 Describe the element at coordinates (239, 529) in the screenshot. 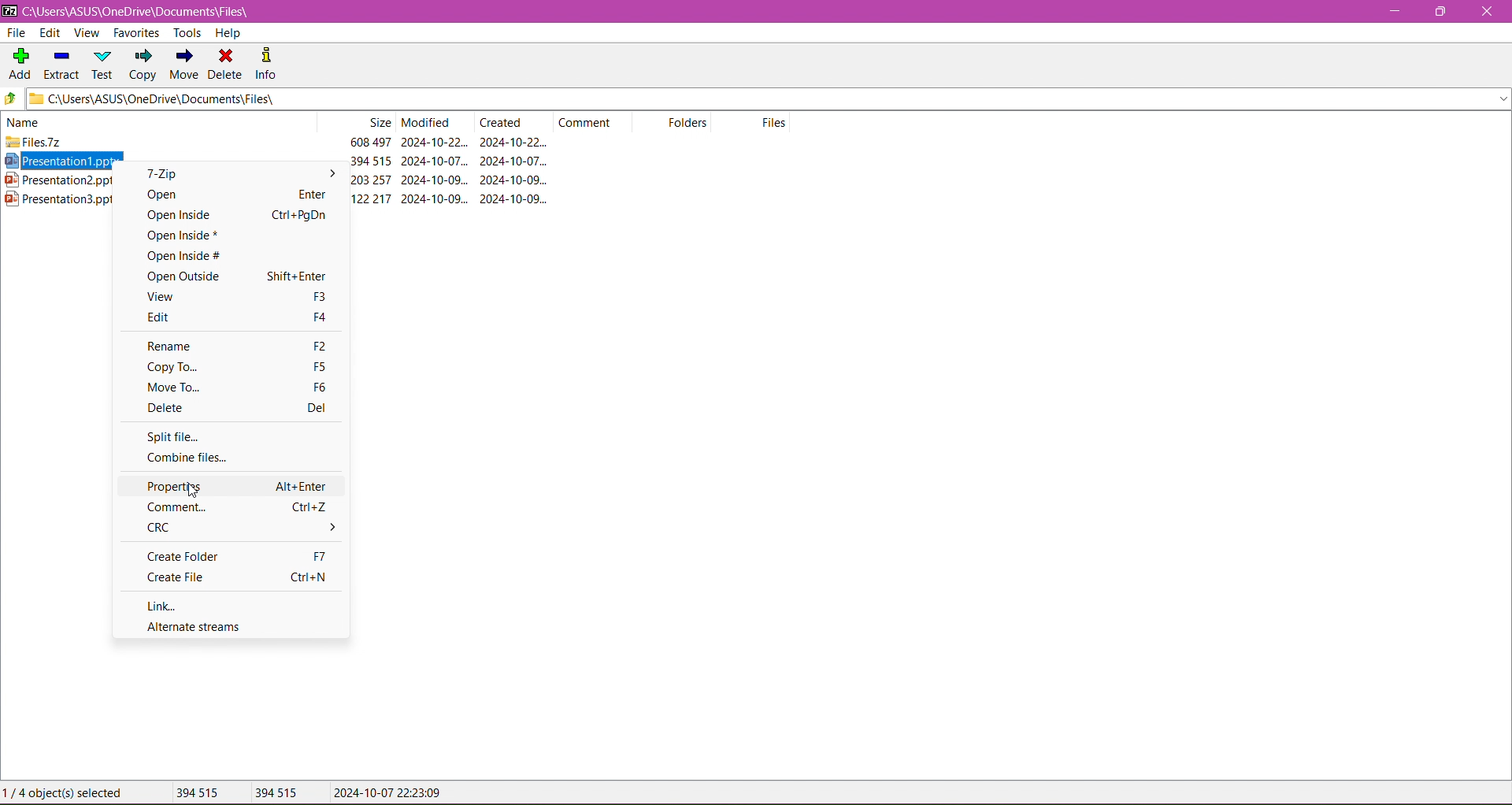

I see `CRC` at that location.